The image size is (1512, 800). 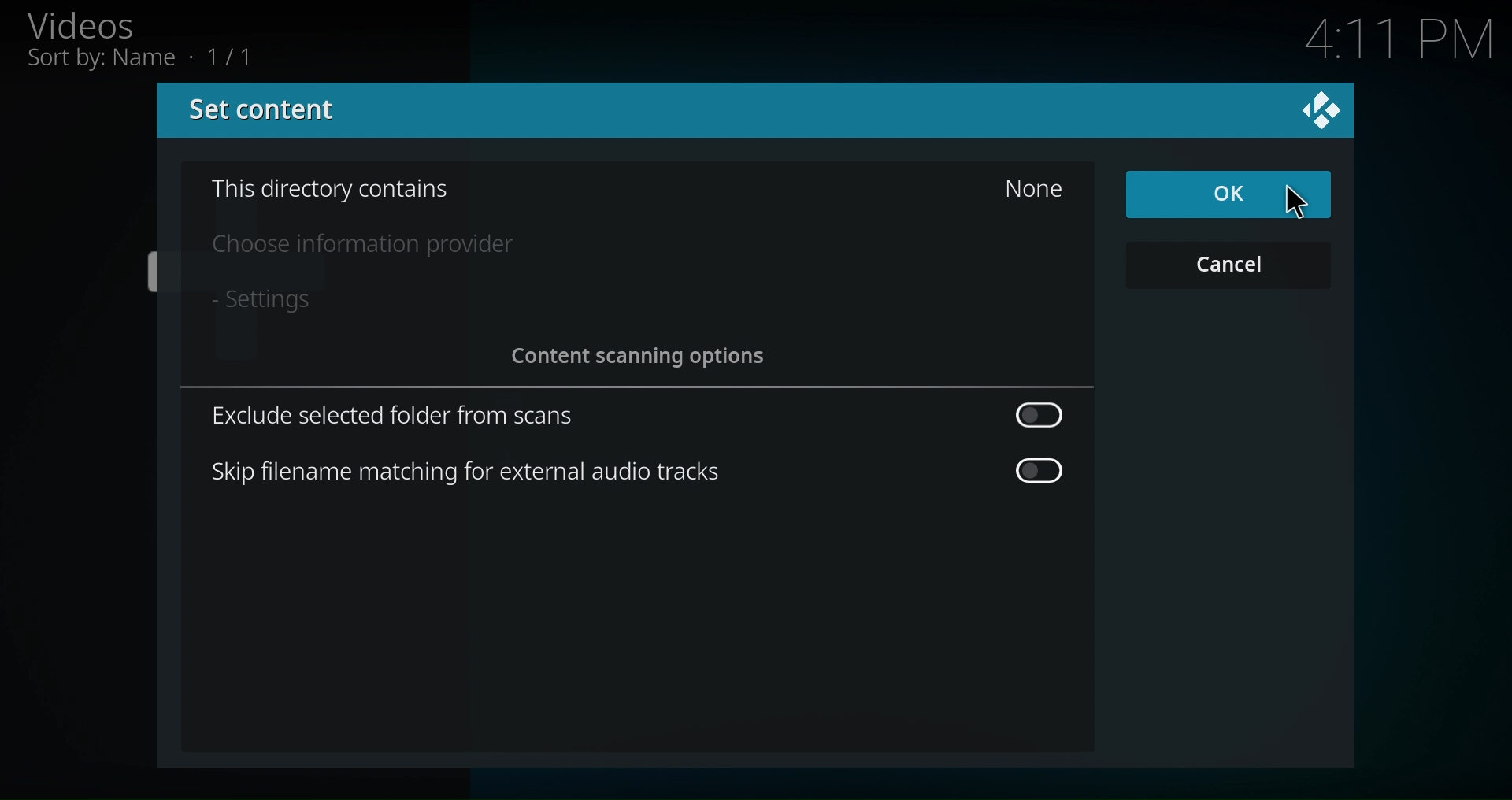 What do you see at coordinates (1034, 415) in the screenshot?
I see `Toggle Button off` at bounding box center [1034, 415].